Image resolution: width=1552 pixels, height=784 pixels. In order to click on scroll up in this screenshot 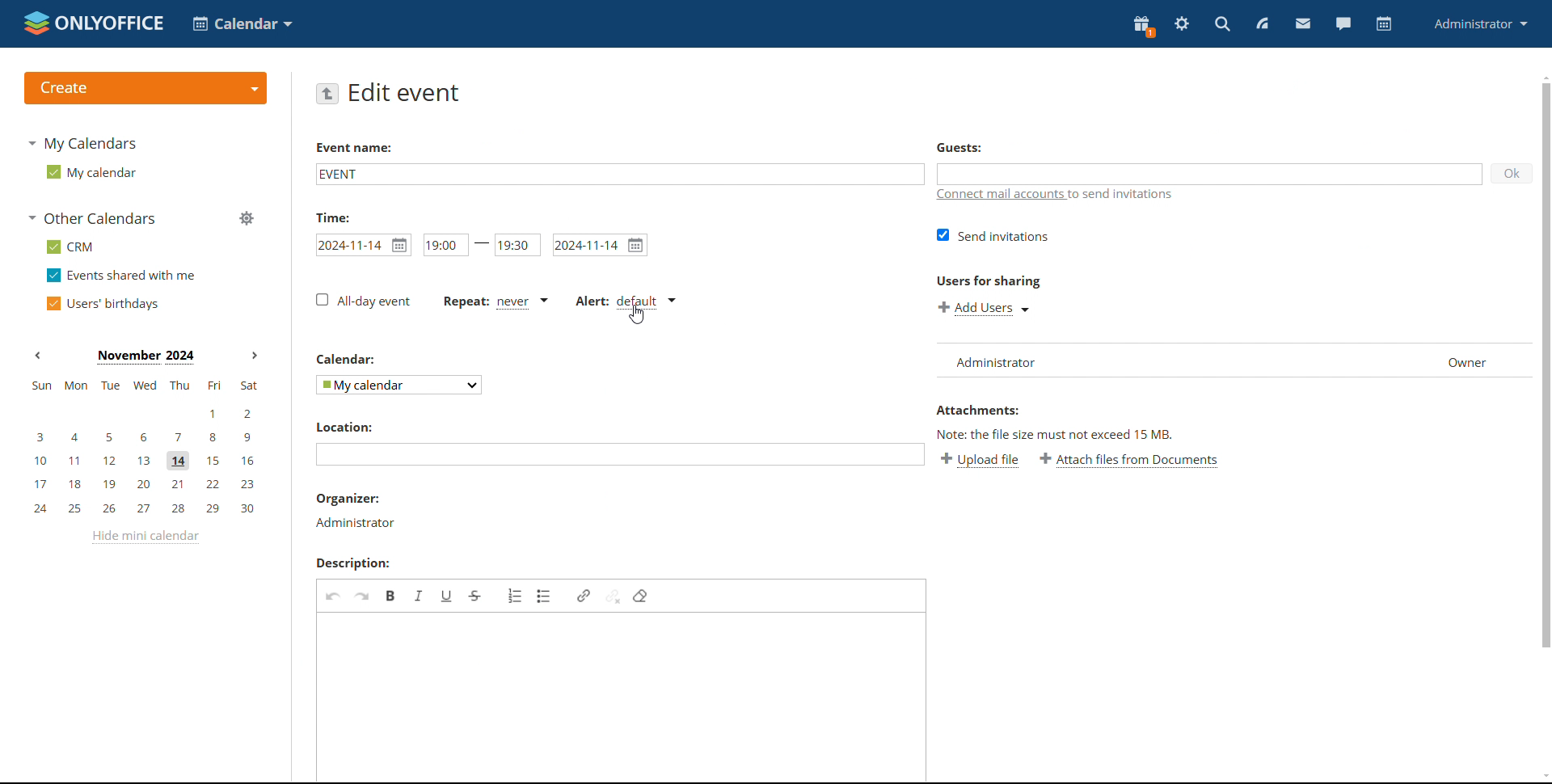, I will do `click(1542, 75)`.